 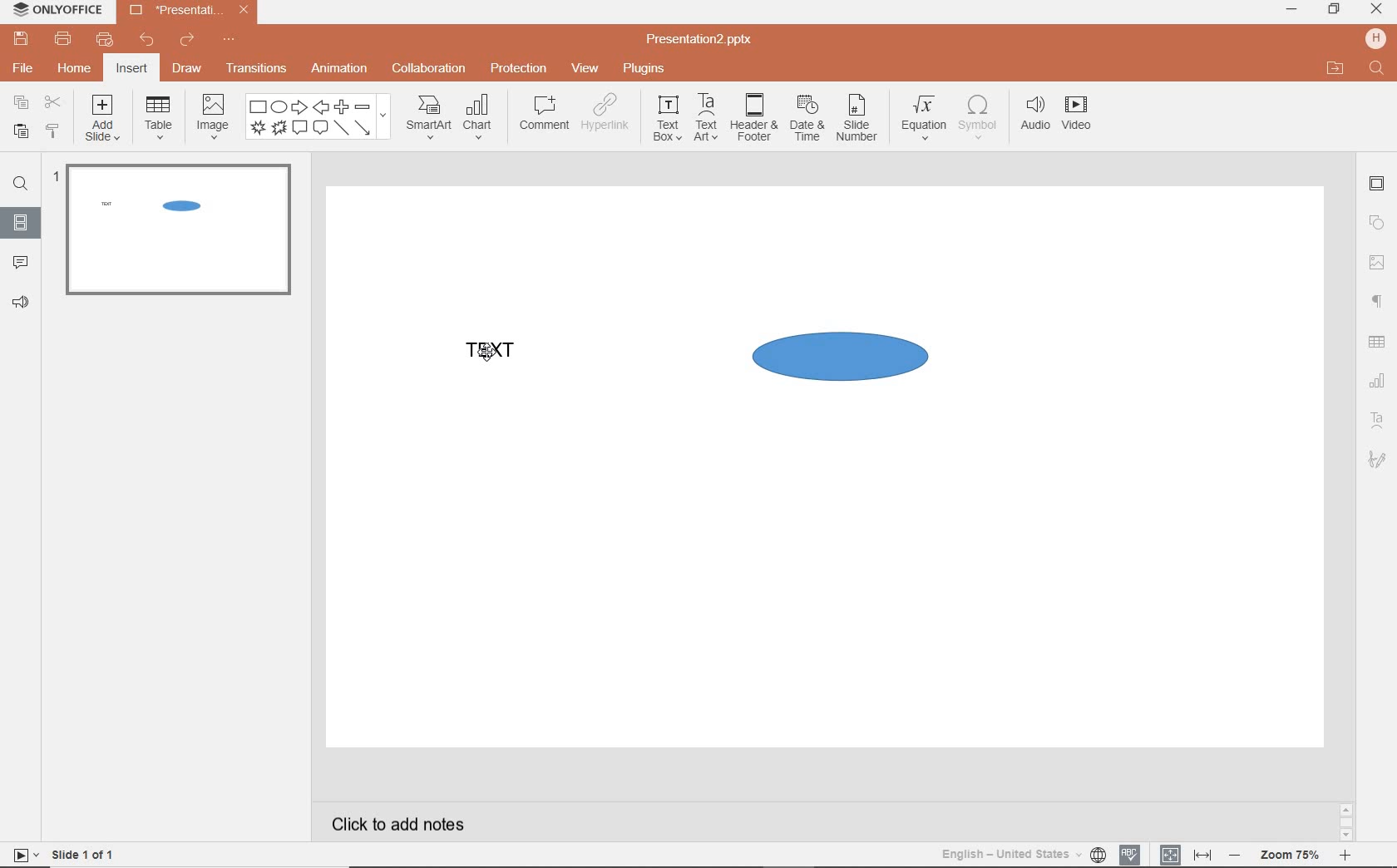 I want to click on protection, so click(x=518, y=68).